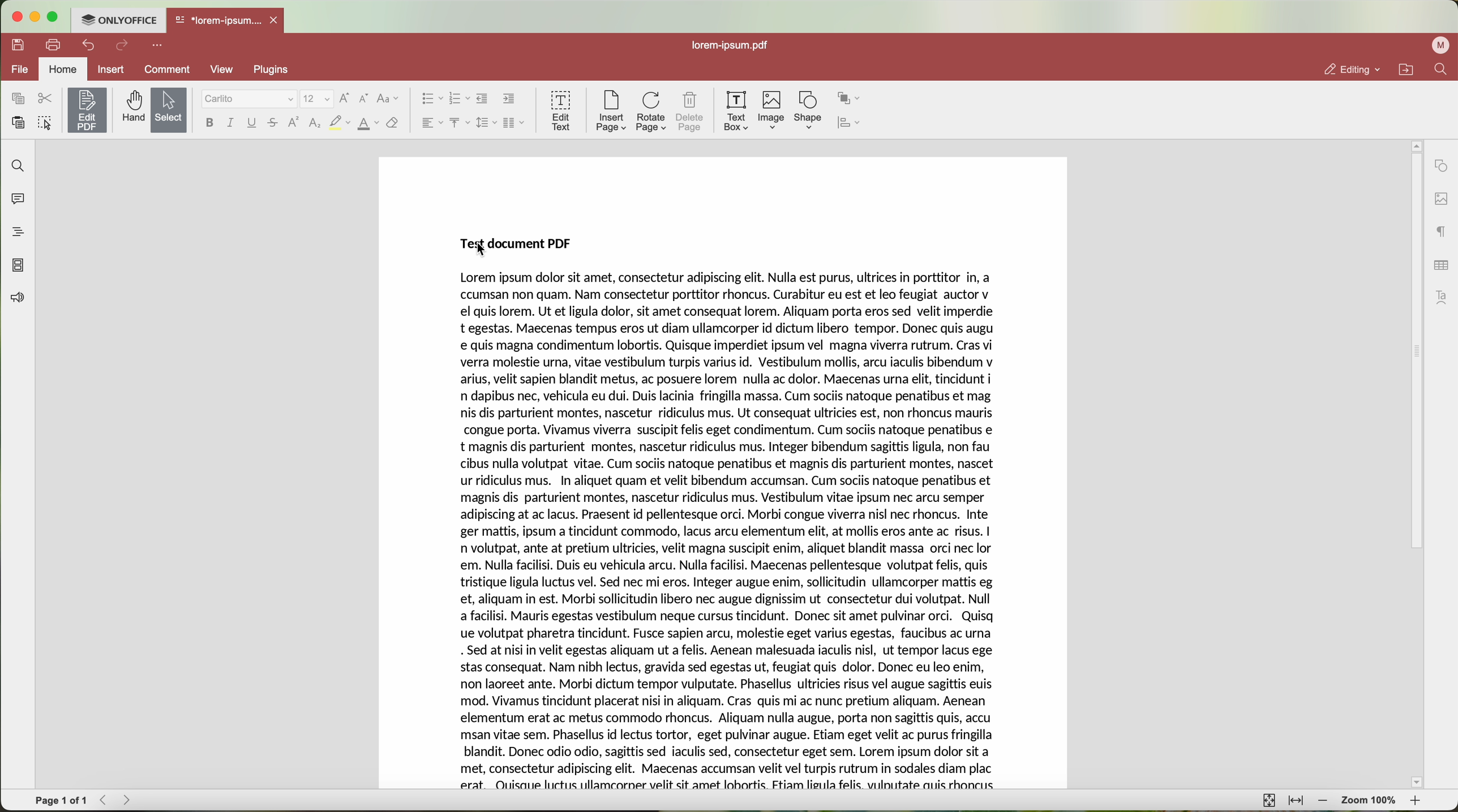 Image resolution: width=1458 pixels, height=812 pixels. What do you see at coordinates (315, 124) in the screenshot?
I see `subscript` at bounding box center [315, 124].